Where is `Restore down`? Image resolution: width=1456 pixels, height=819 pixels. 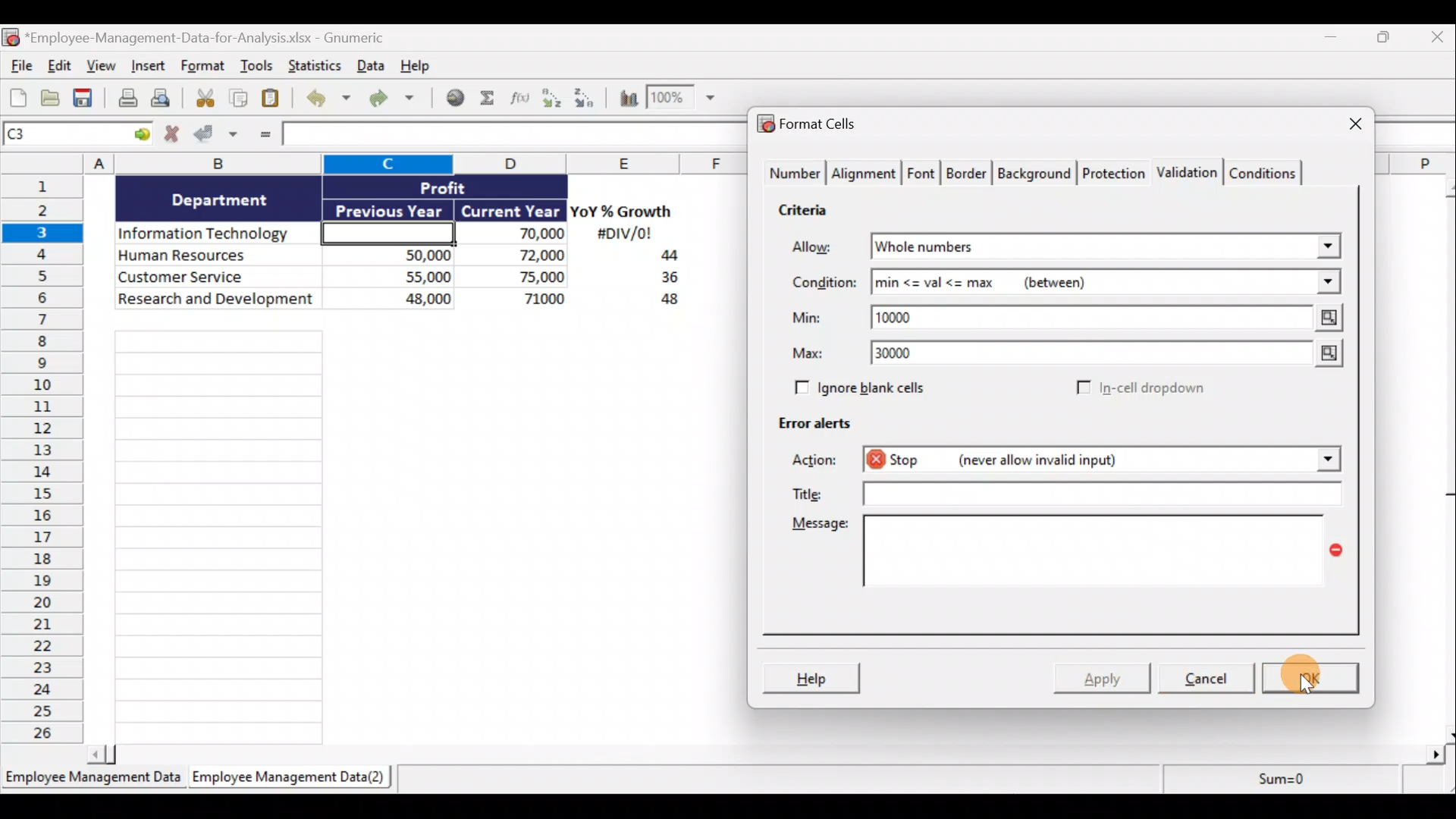
Restore down is located at coordinates (1385, 41).